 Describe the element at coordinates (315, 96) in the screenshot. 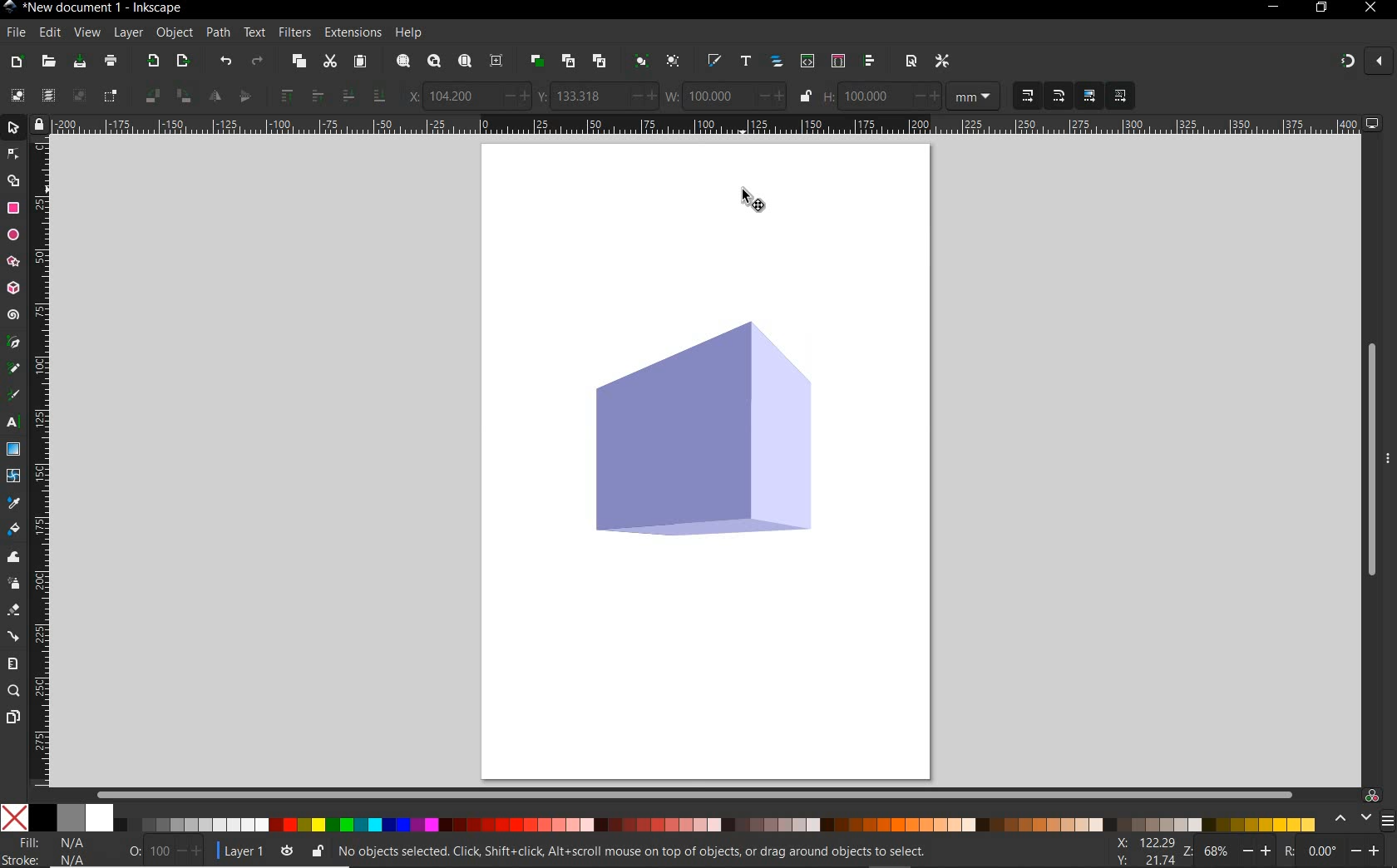

I see `raise selection` at that location.